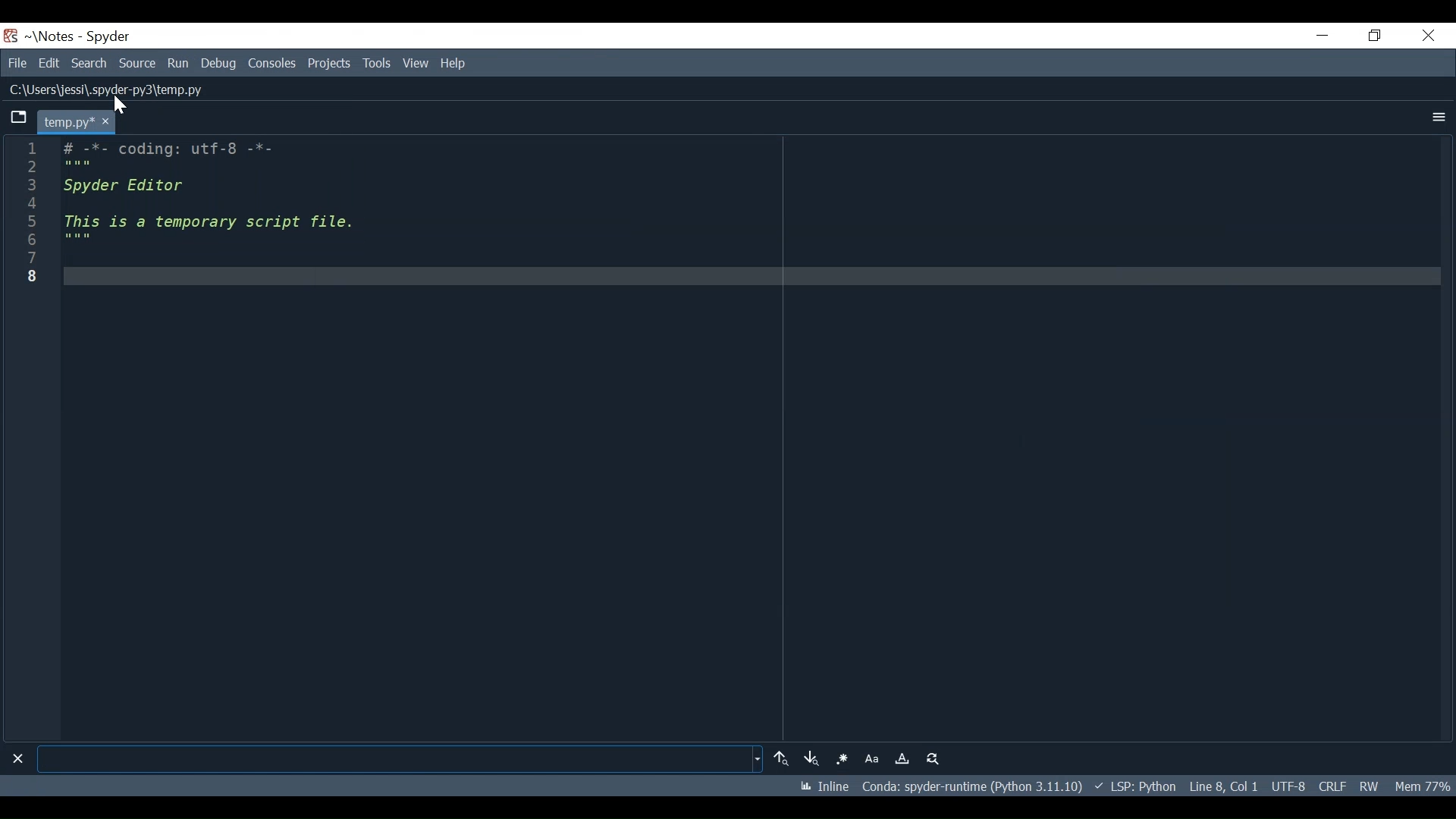 The height and width of the screenshot is (819, 1456). Describe the element at coordinates (1430, 35) in the screenshot. I see `Close` at that location.